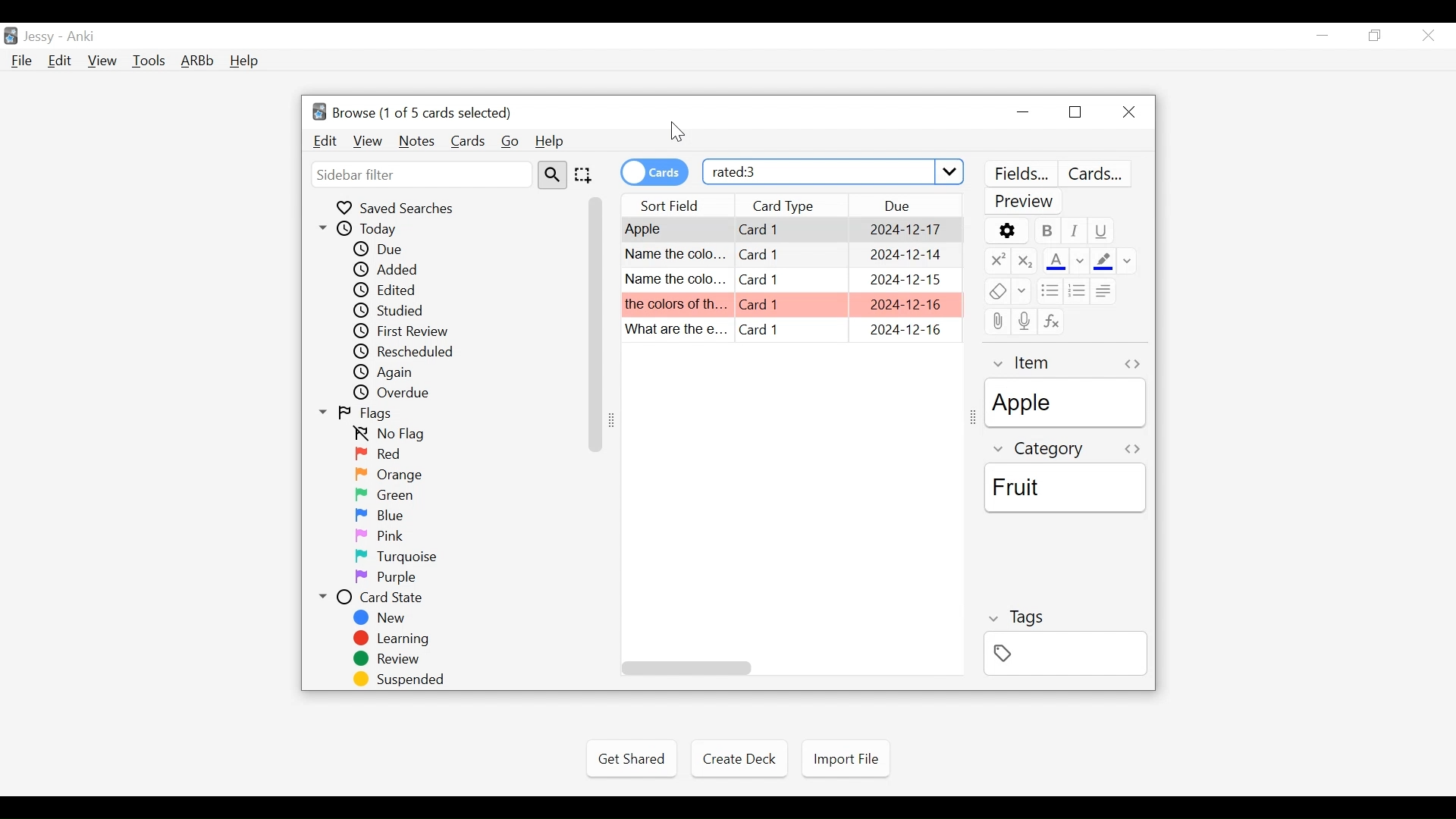 Image resolution: width=1456 pixels, height=819 pixels. Describe the element at coordinates (793, 206) in the screenshot. I see `Card Type` at that location.